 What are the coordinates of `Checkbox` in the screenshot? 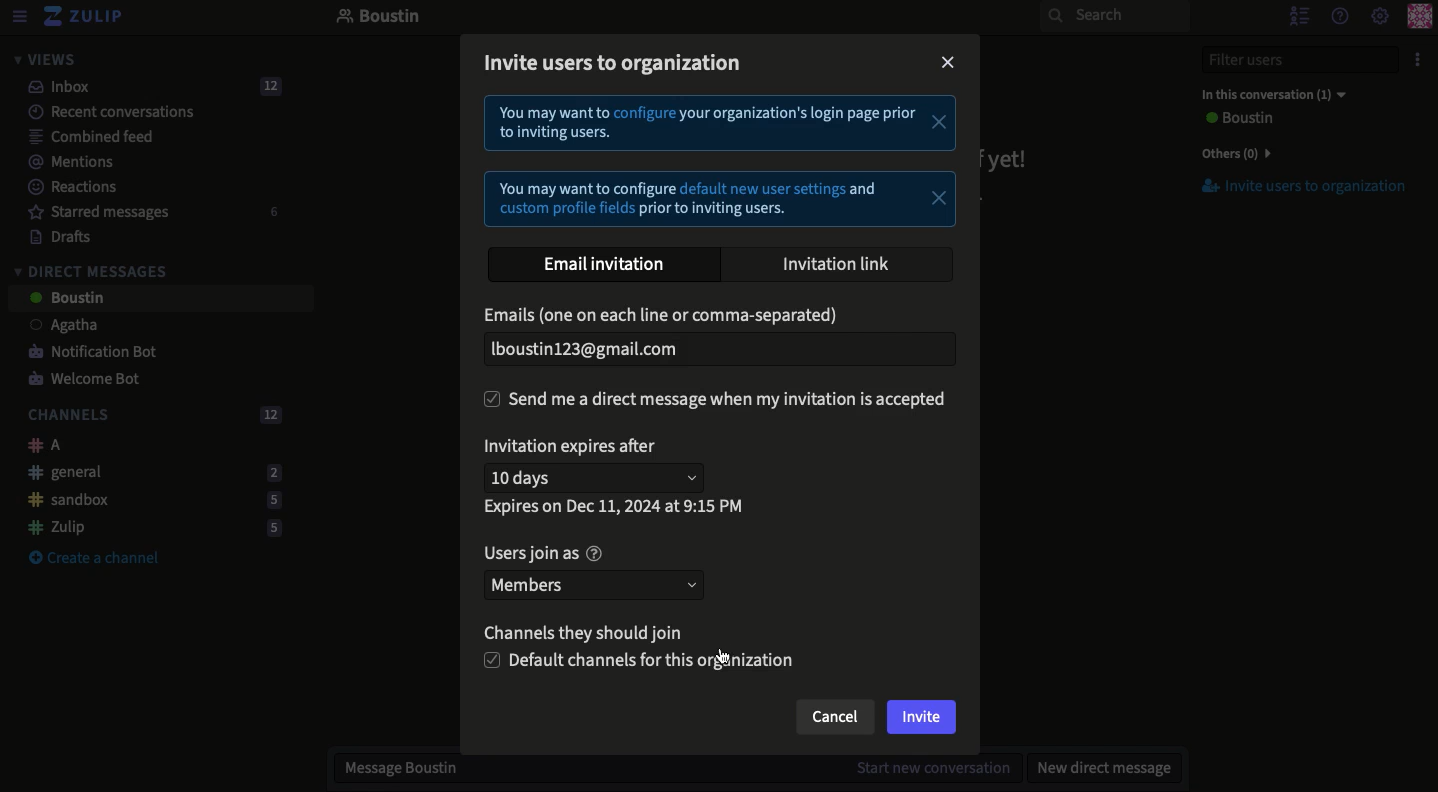 It's located at (642, 662).